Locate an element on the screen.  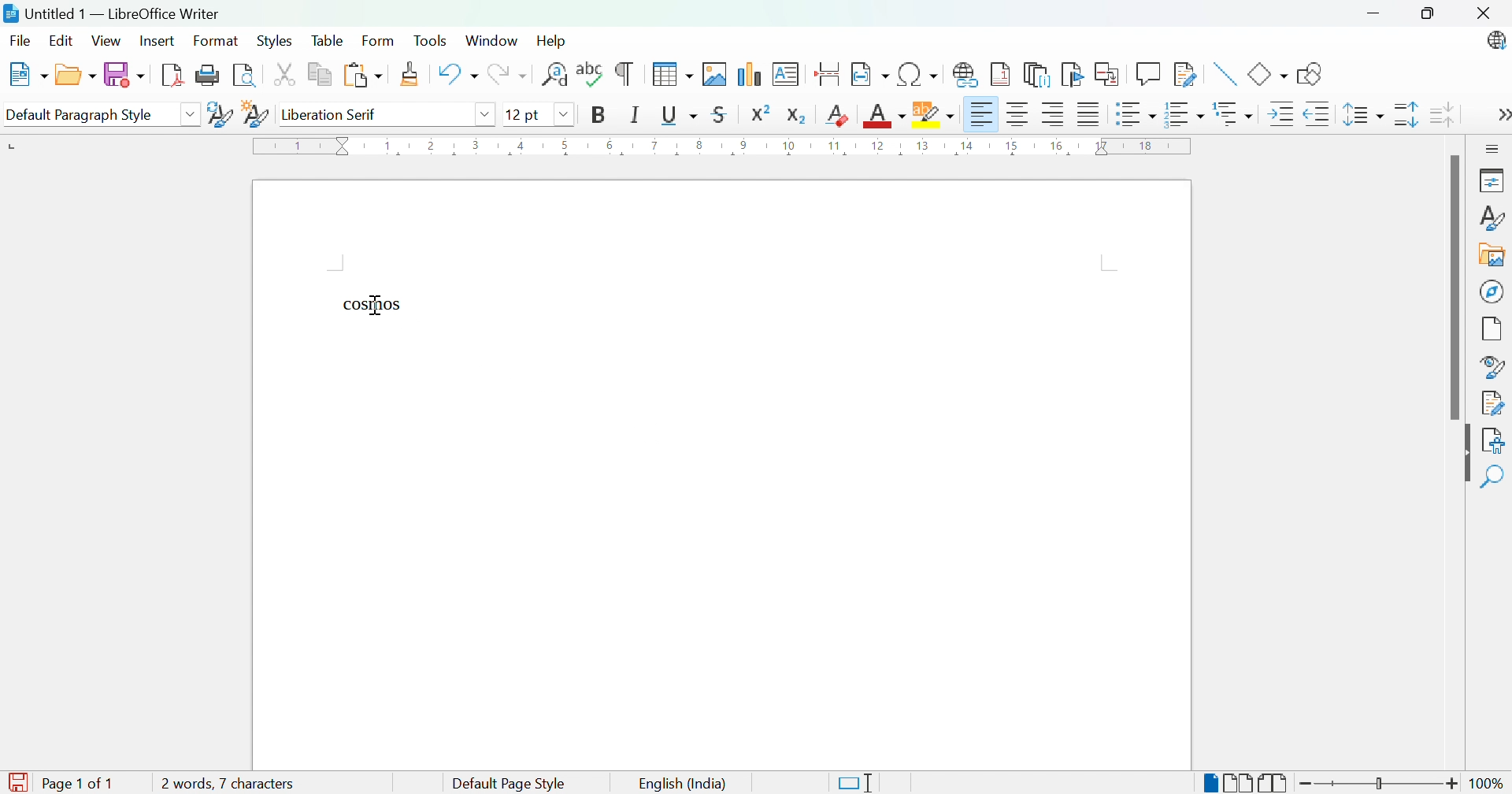
Decrease paragraph spacing is located at coordinates (1442, 114).